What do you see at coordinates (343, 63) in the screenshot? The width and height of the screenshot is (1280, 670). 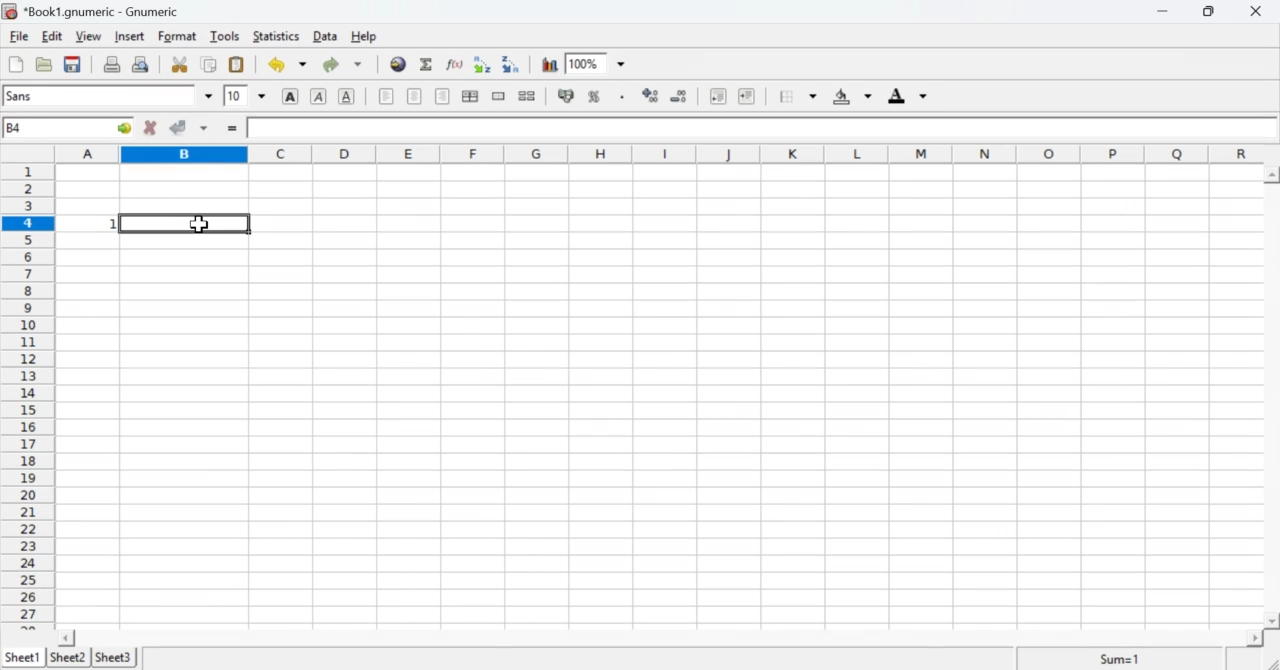 I see `Redo` at bounding box center [343, 63].